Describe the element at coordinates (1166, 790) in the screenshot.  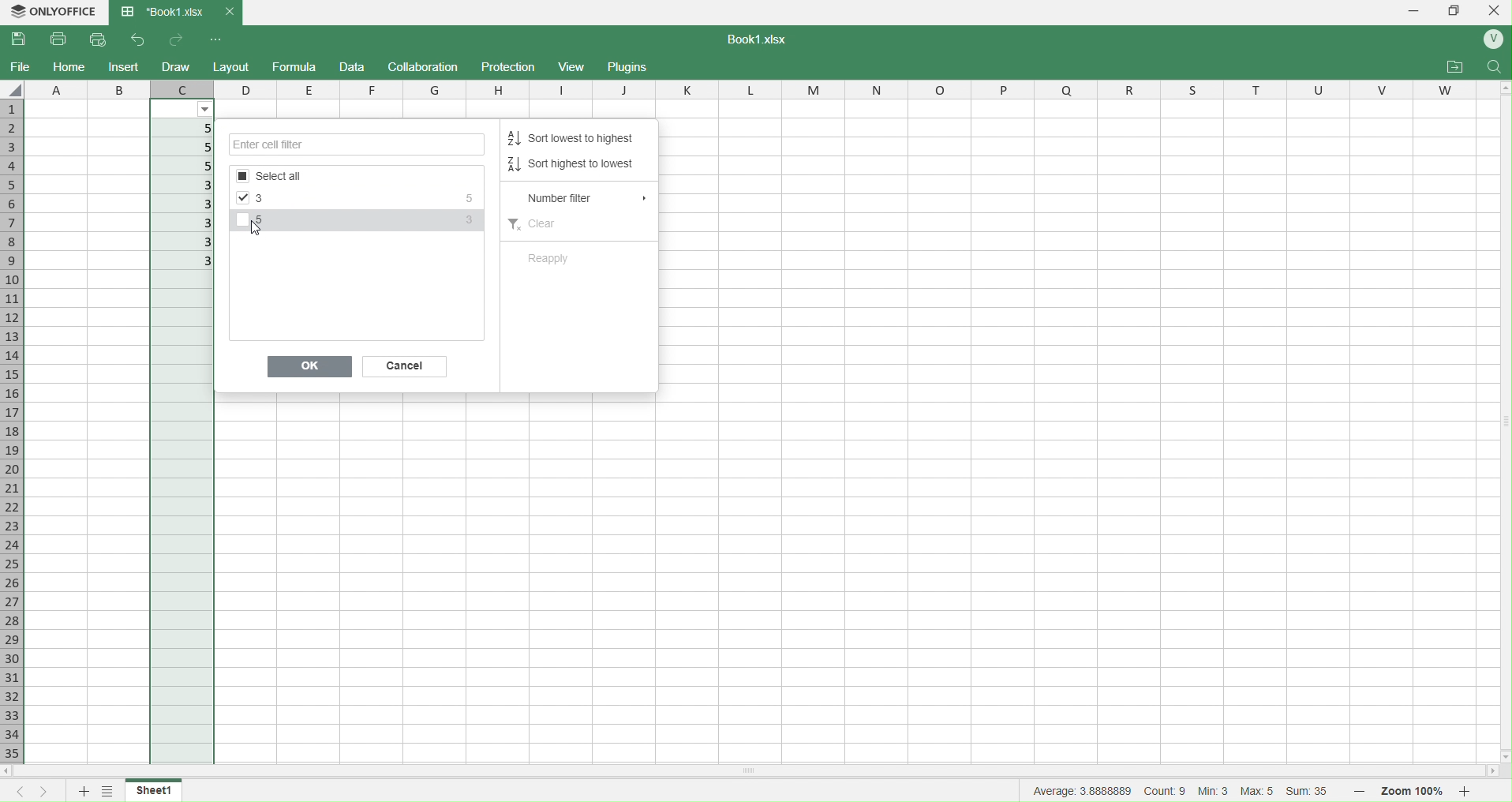
I see `cout` at that location.